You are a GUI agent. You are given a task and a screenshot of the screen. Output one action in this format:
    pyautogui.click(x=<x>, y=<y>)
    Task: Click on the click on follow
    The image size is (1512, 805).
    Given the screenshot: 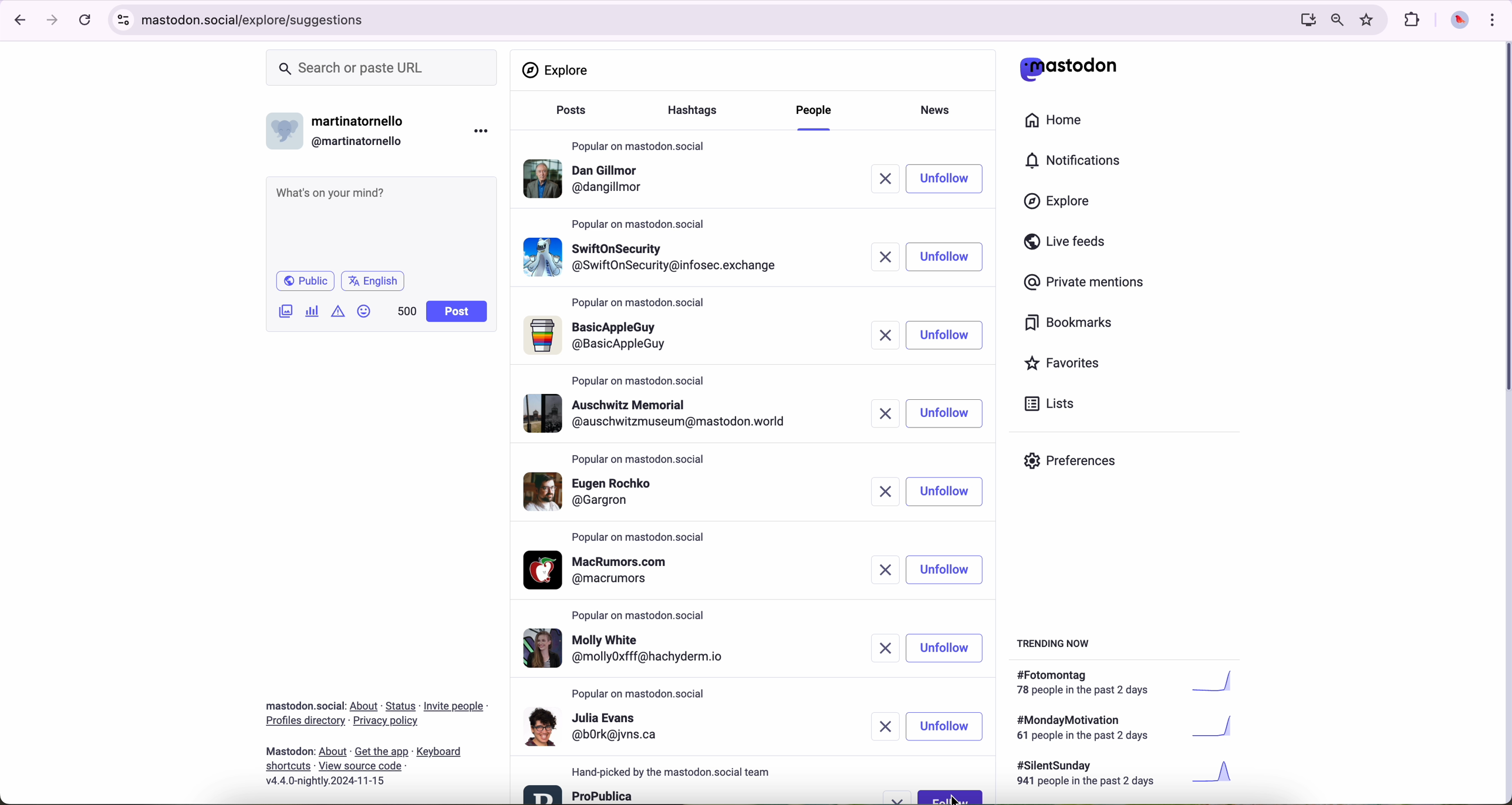 What is the action you would take?
    pyautogui.click(x=951, y=796)
    